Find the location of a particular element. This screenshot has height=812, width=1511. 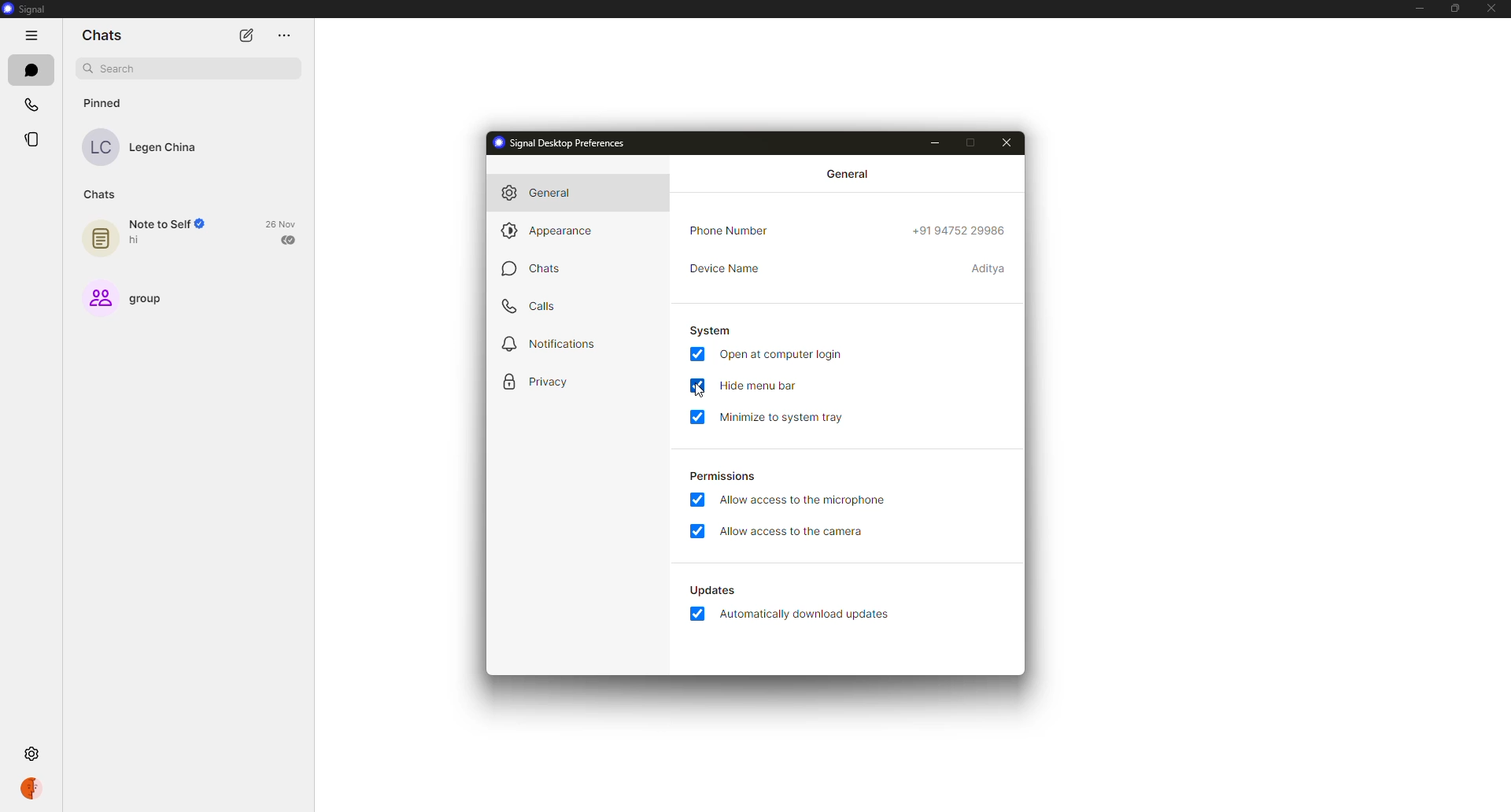

hide tabs is located at coordinates (33, 38).